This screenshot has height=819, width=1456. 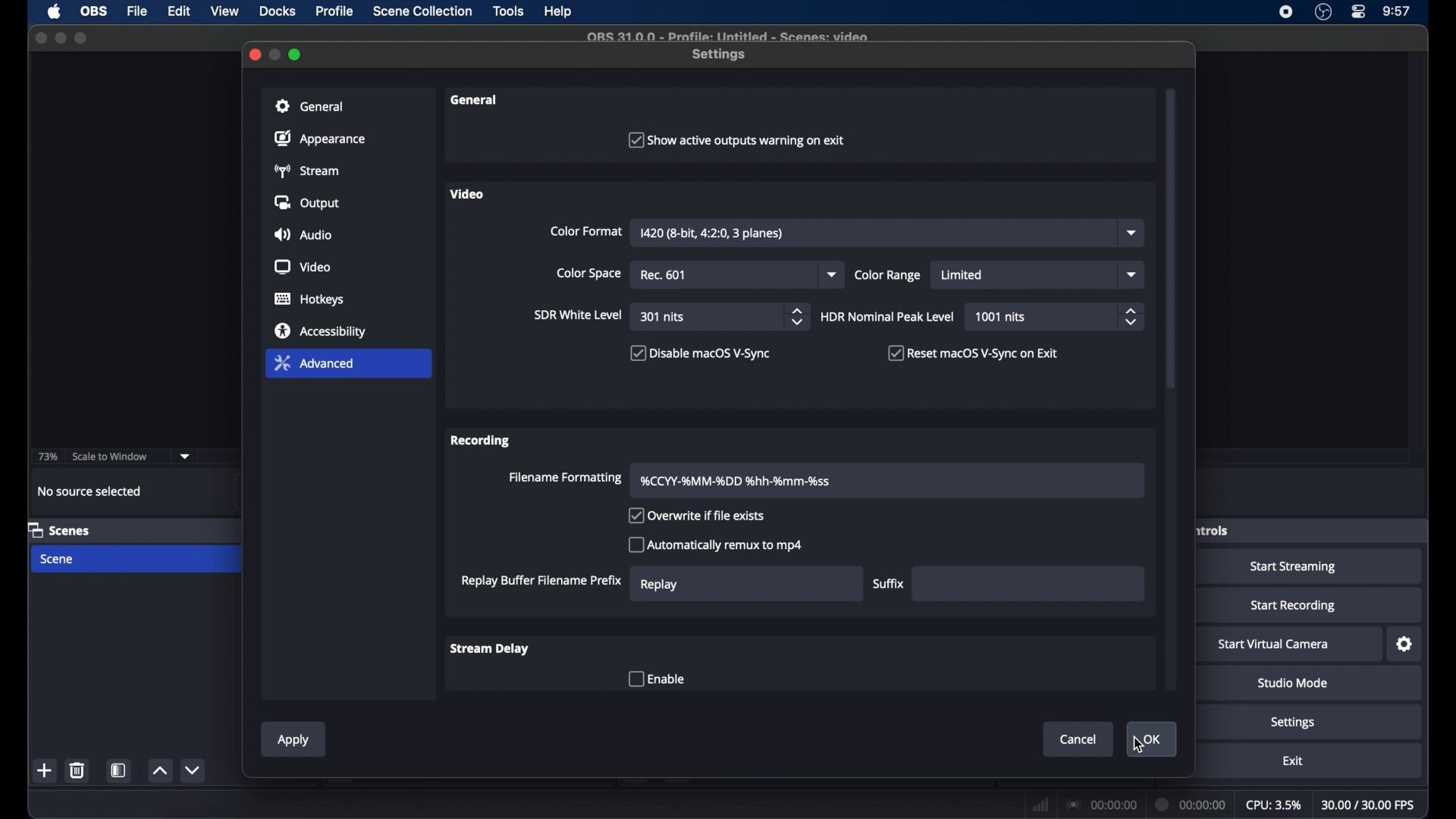 What do you see at coordinates (60, 38) in the screenshot?
I see `maximize` at bounding box center [60, 38].